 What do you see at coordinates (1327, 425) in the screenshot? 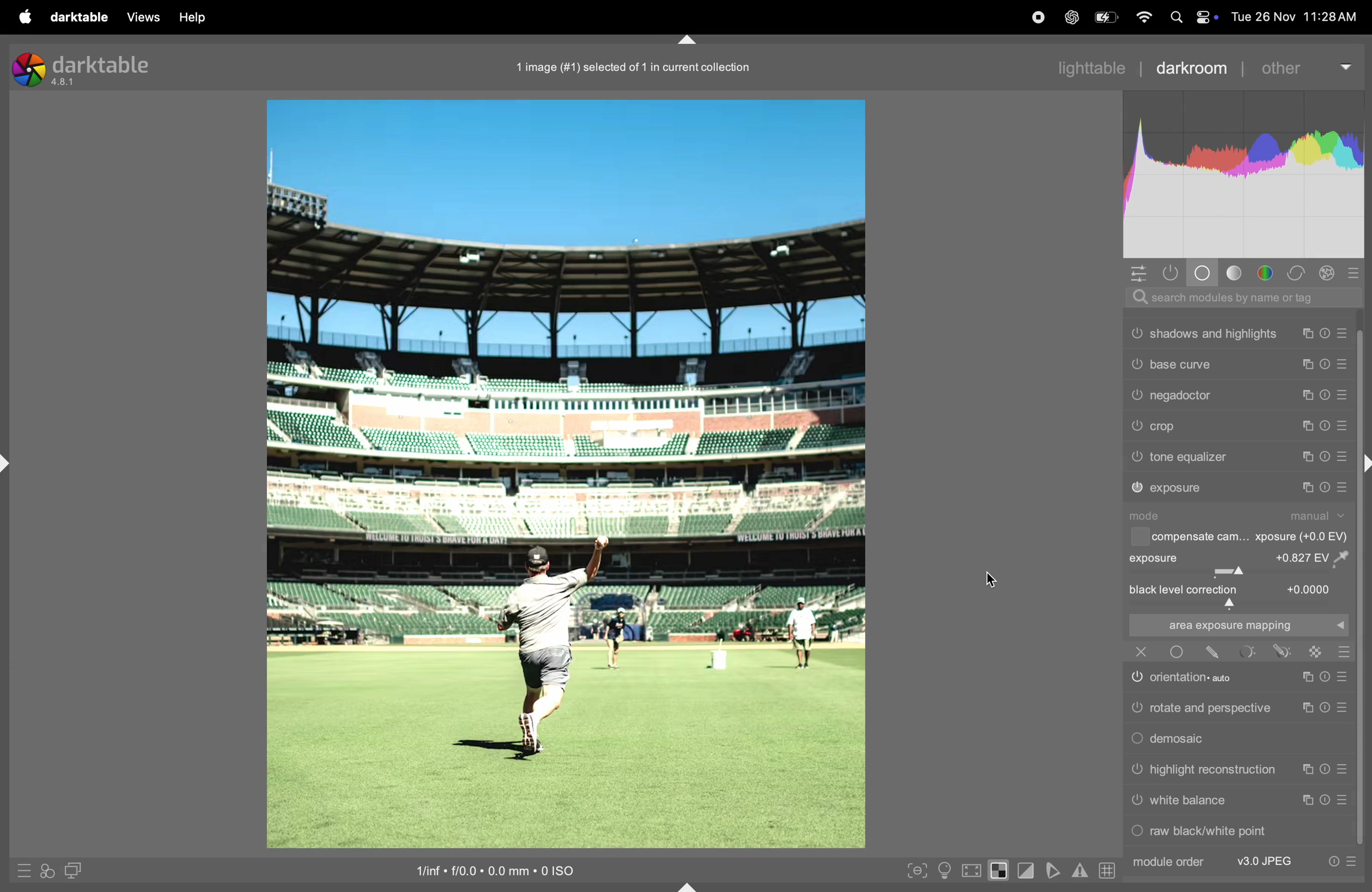
I see `reset presets` at bounding box center [1327, 425].